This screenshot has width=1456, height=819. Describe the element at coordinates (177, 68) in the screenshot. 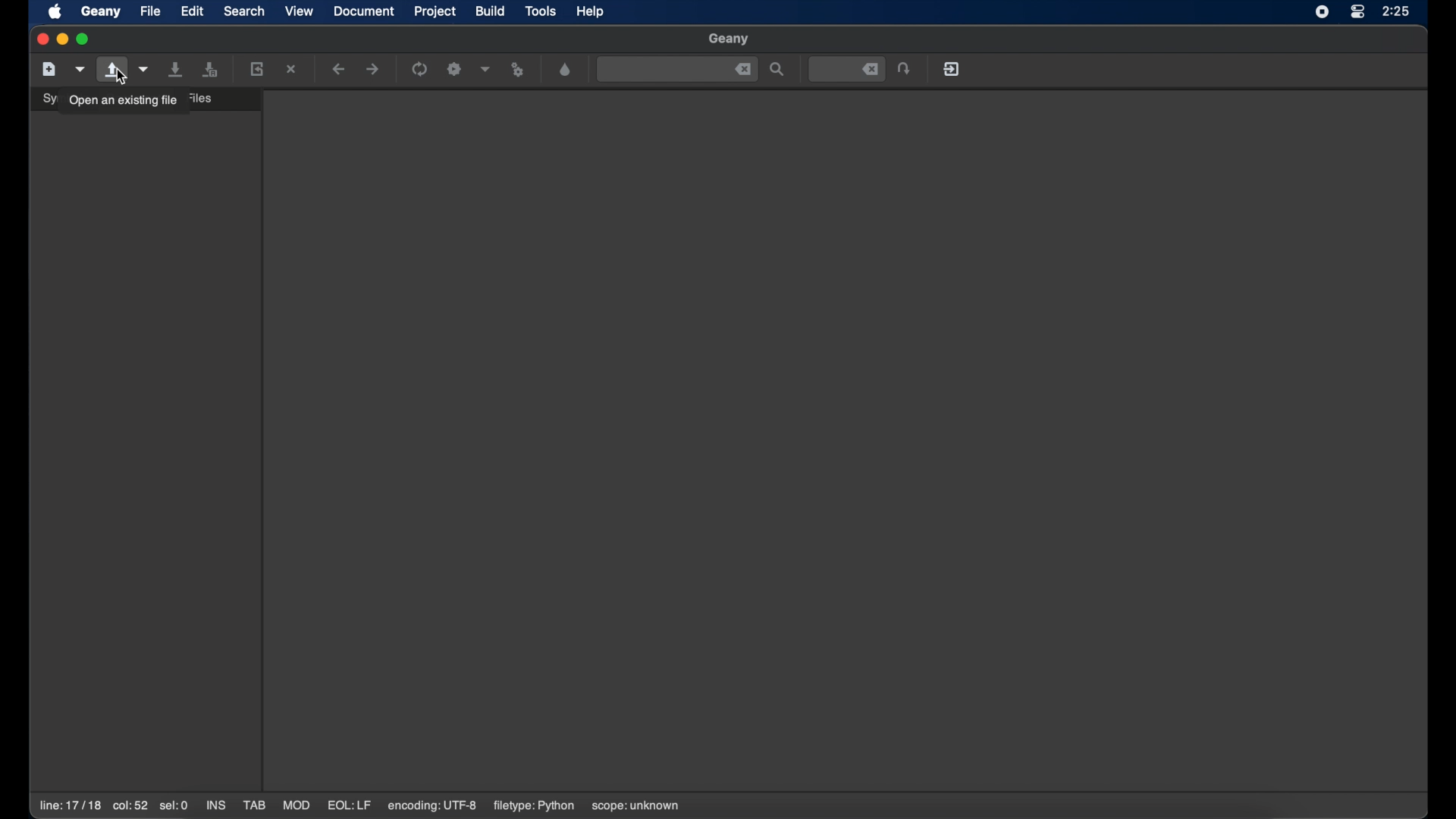

I see `save current file` at that location.